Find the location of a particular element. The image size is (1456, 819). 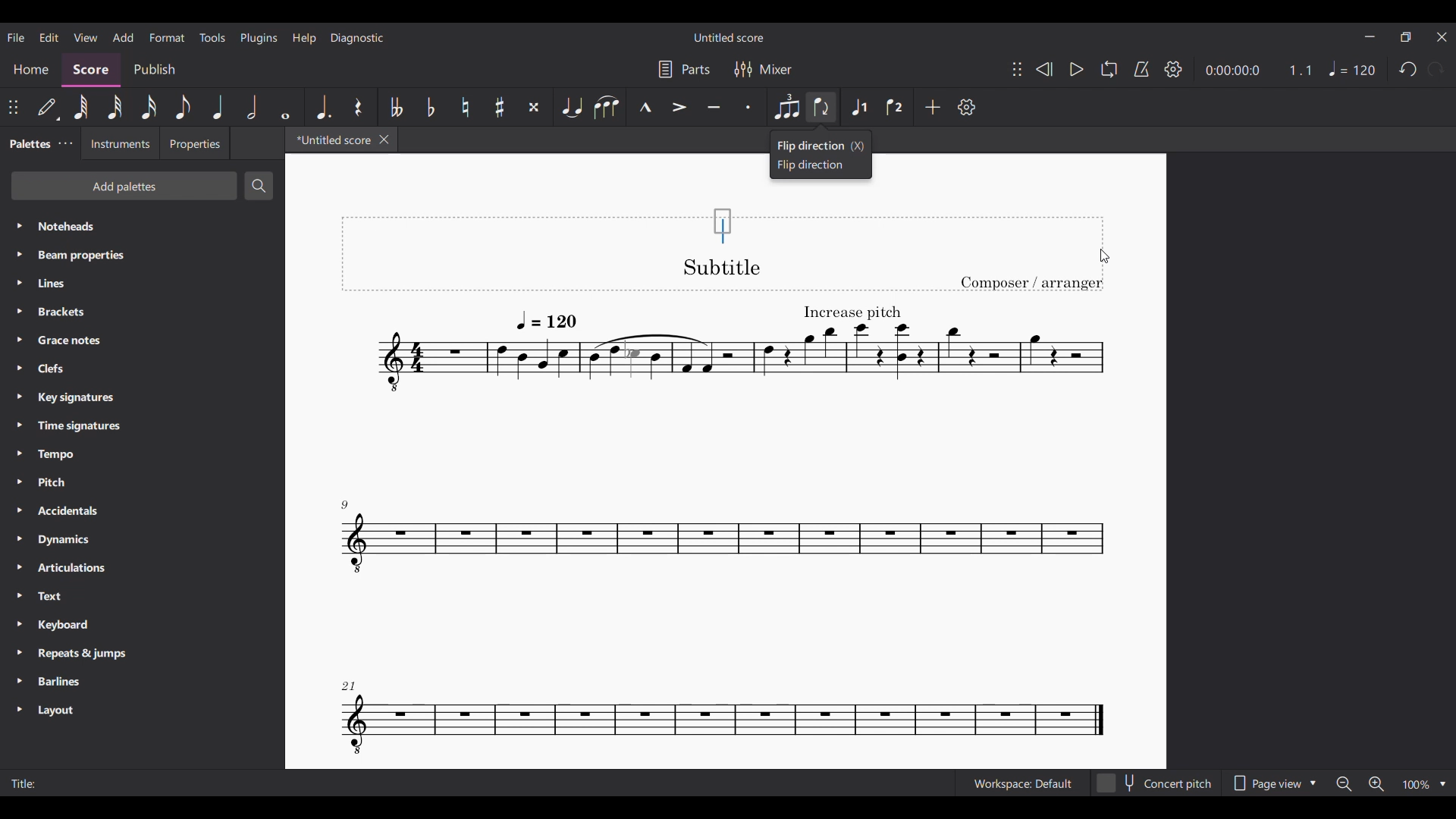

Toggle natural is located at coordinates (465, 107).